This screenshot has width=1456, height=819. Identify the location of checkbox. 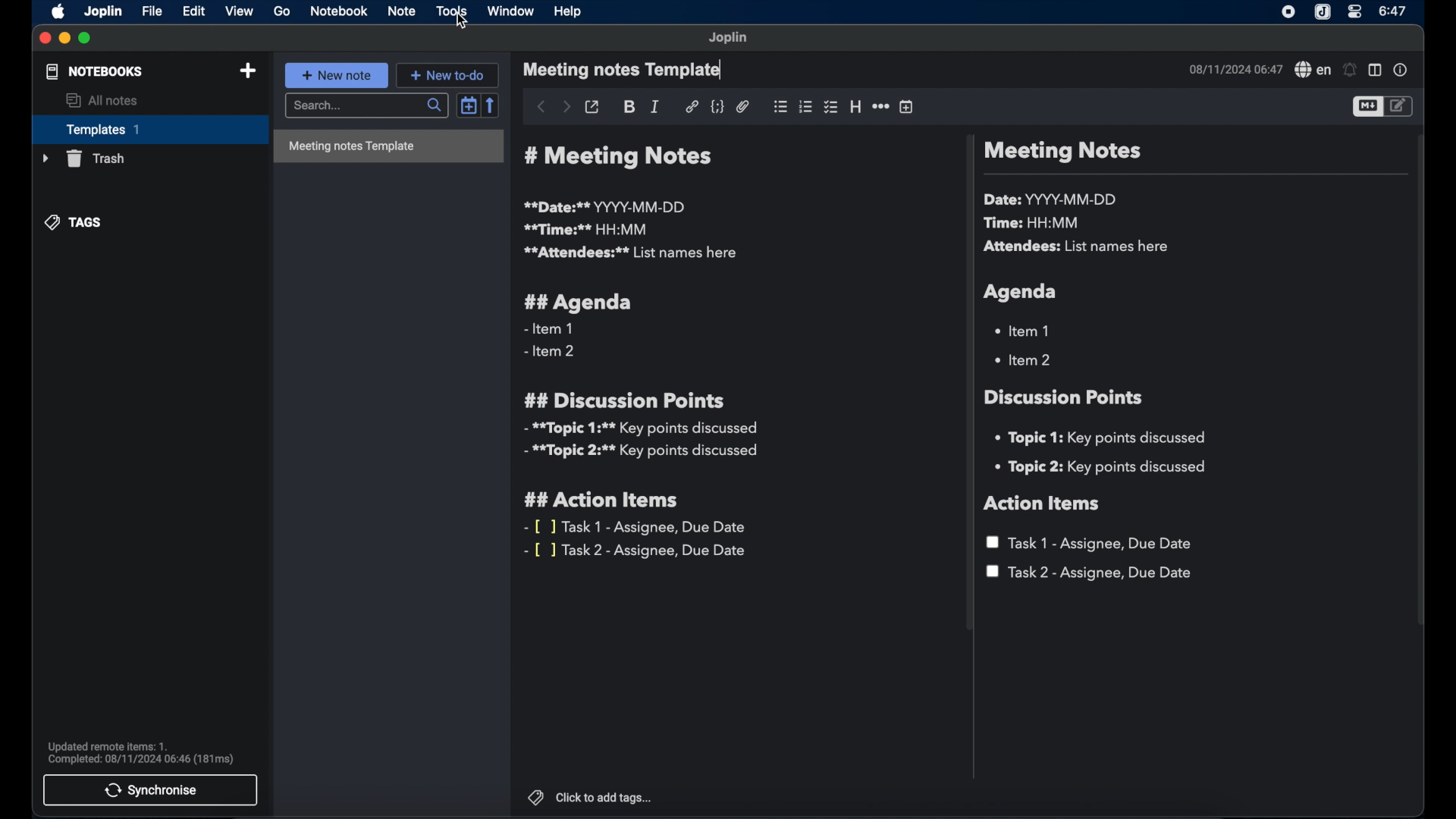
(830, 107).